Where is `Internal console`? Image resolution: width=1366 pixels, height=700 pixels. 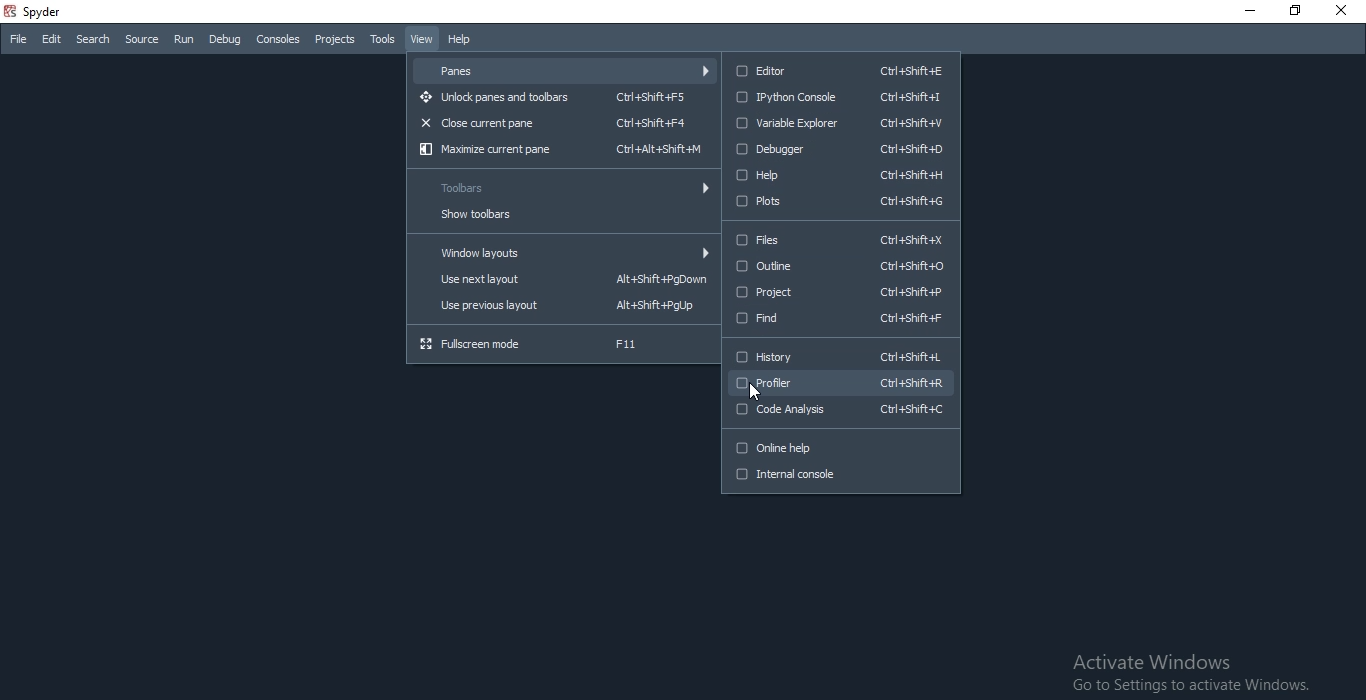 Internal console is located at coordinates (840, 479).